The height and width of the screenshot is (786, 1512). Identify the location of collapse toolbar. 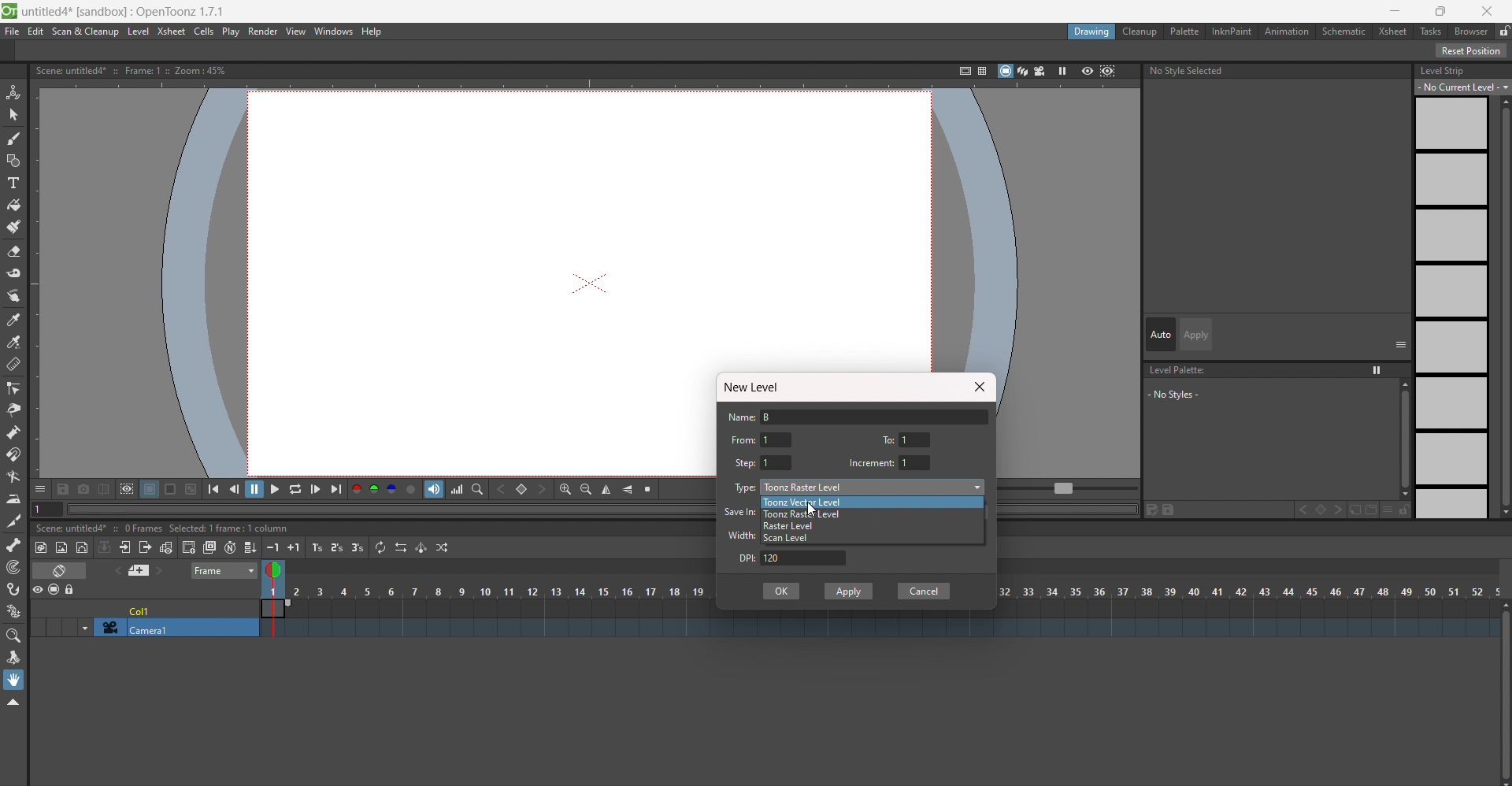
(13, 703).